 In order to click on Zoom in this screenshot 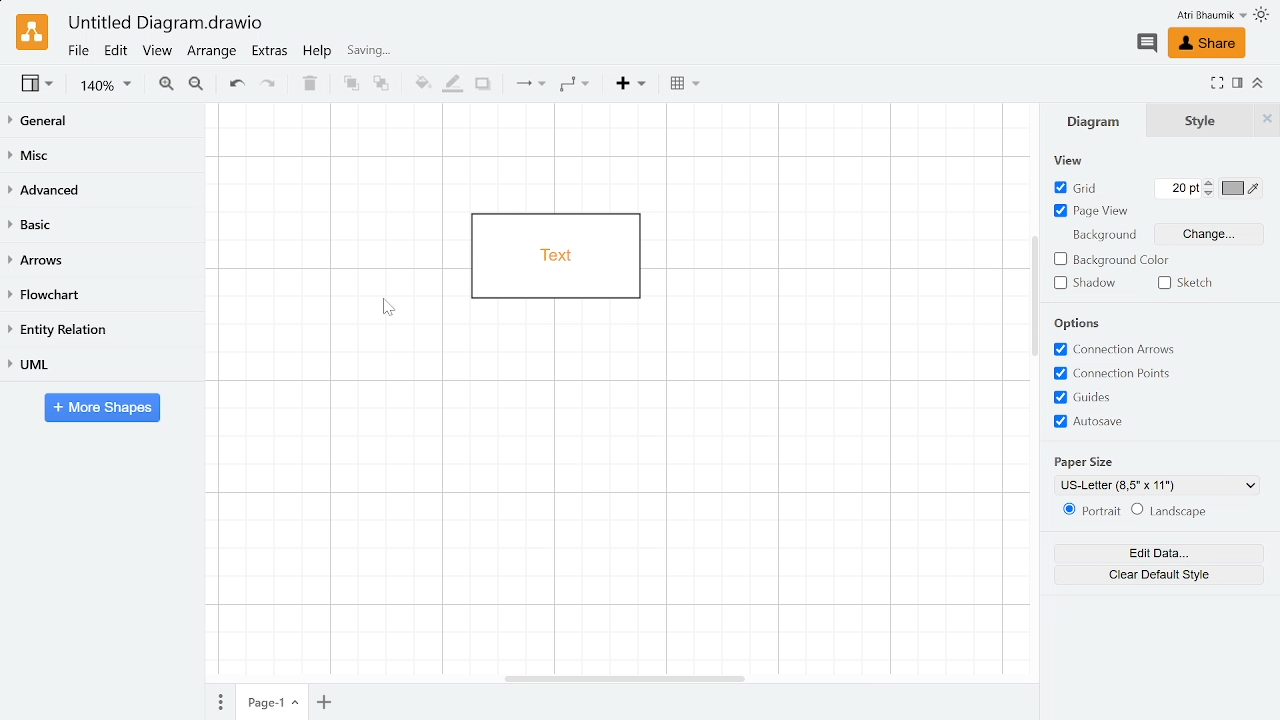, I will do `click(106, 88)`.